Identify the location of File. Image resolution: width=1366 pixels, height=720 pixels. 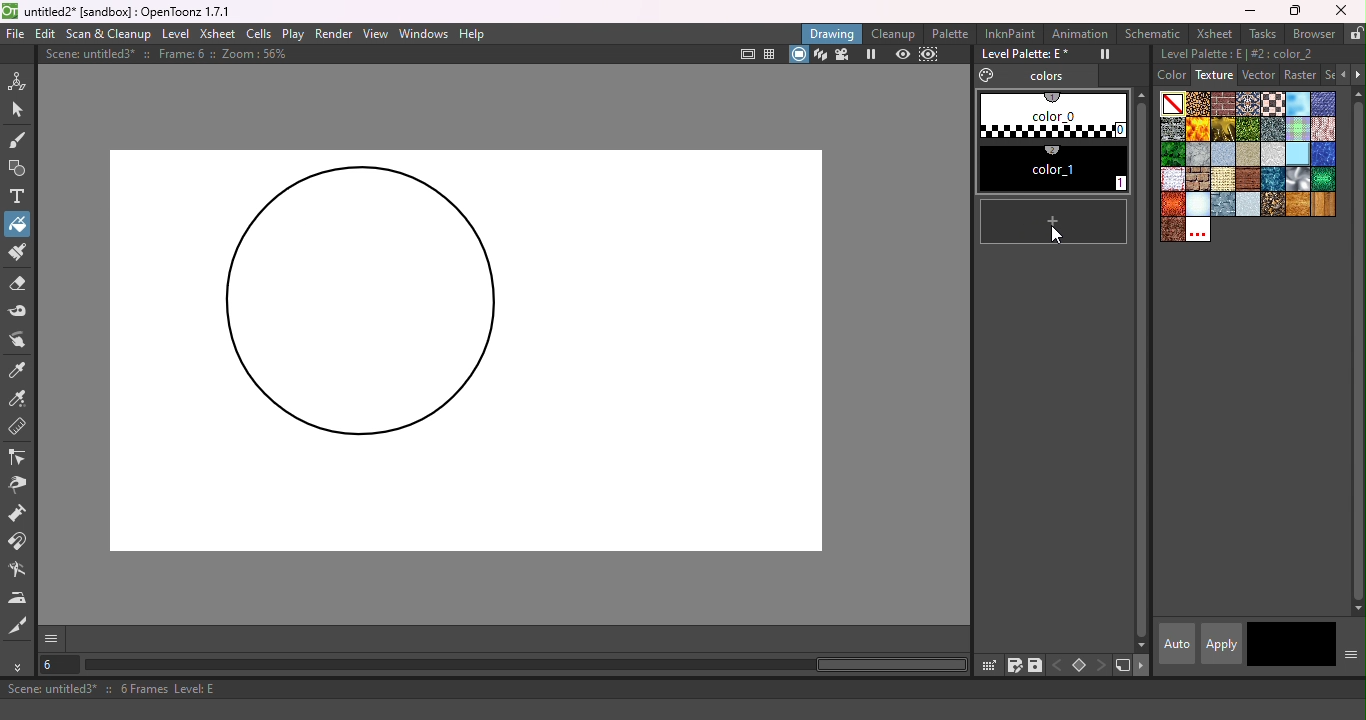
(16, 35).